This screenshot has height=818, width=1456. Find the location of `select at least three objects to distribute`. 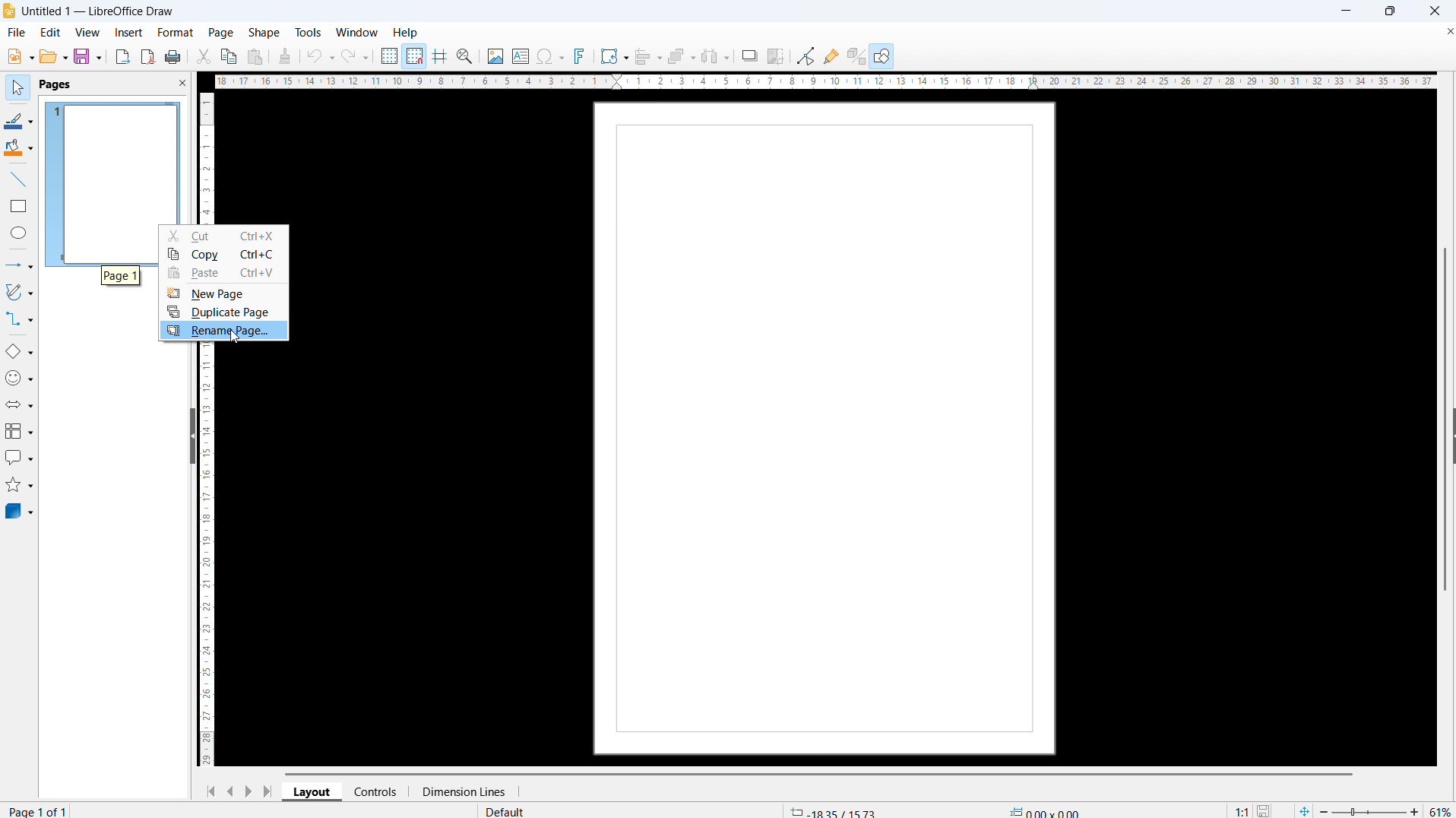

select at least three objects to distribute is located at coordinates (716, 57).